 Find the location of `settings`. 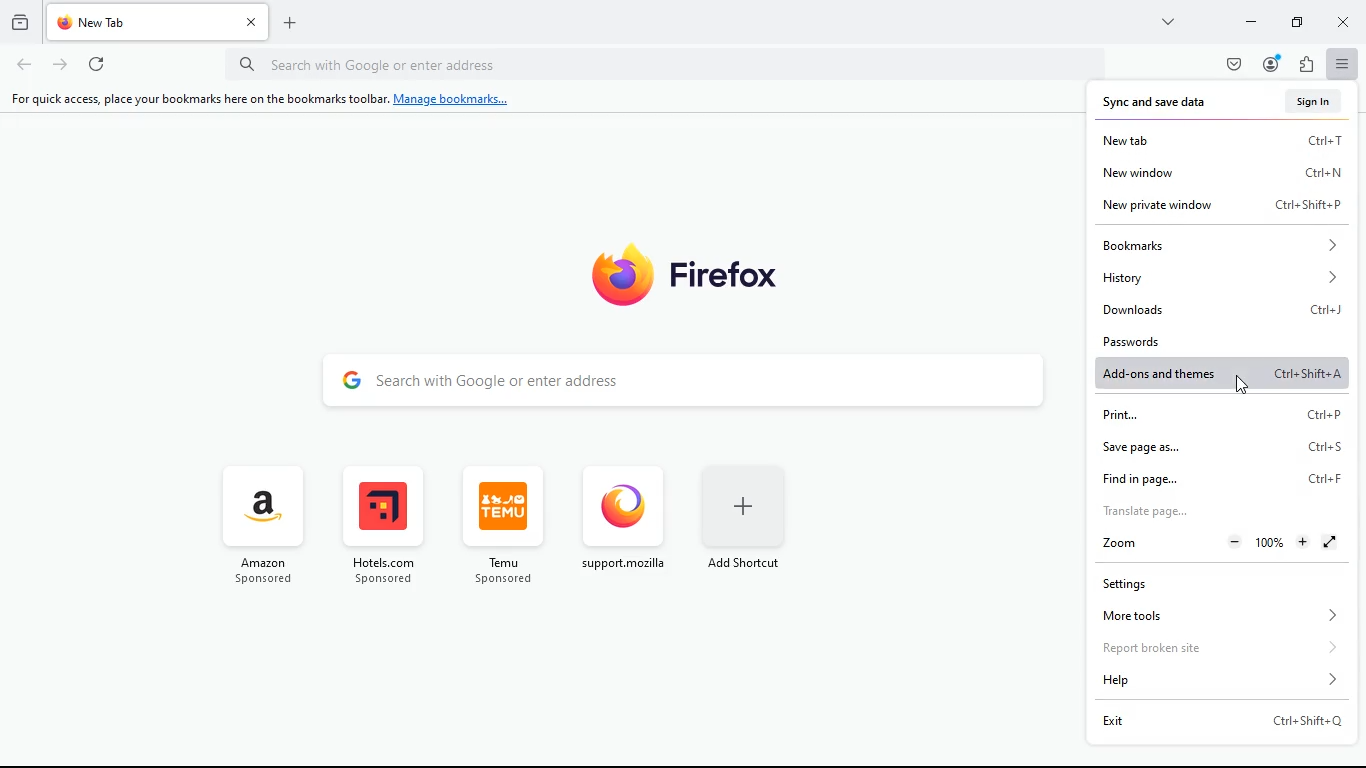

settings is located at coordinates (1223, 580).